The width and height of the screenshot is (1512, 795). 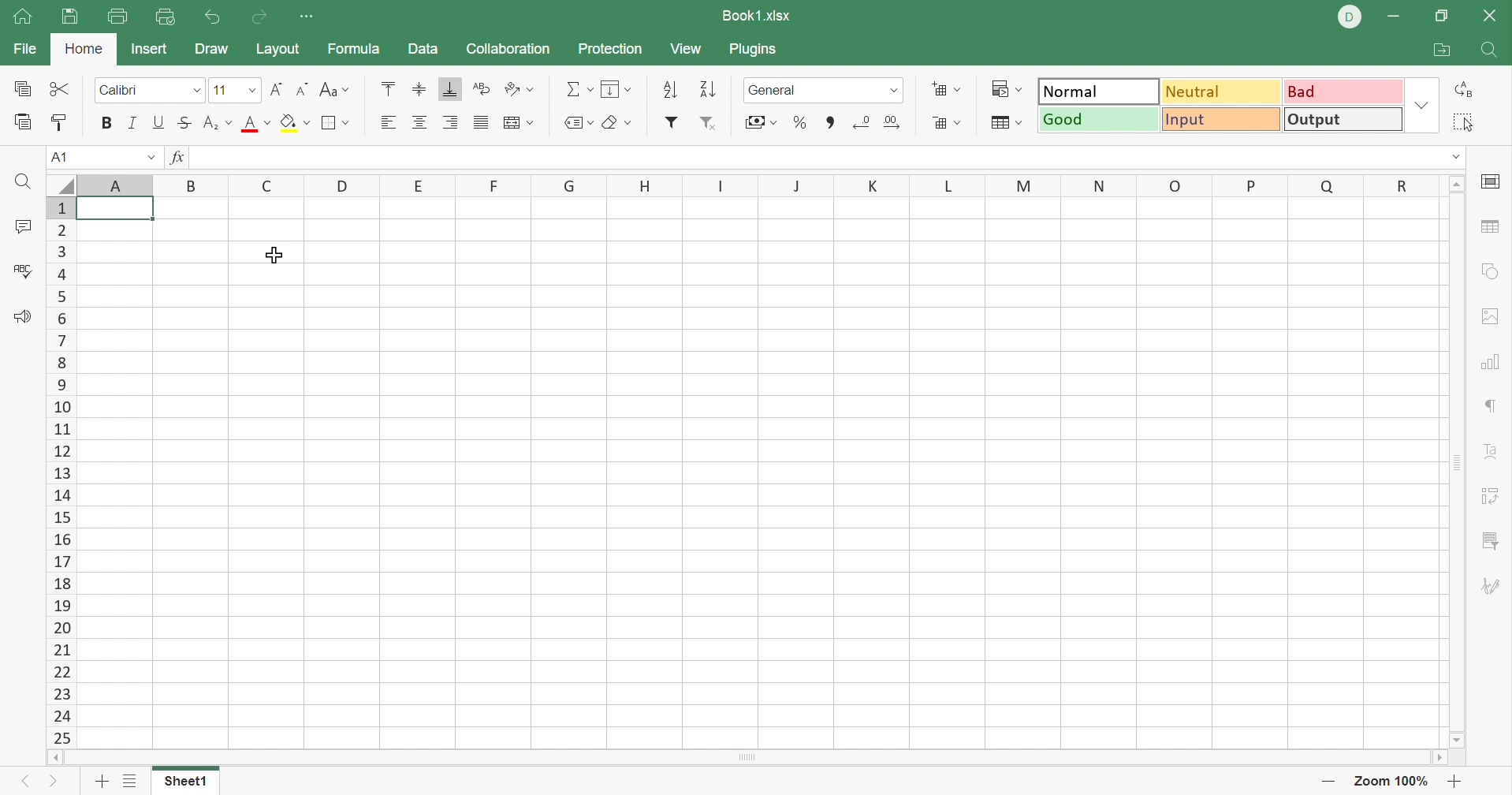 What do you see at coordinates (1340, 119) in the screenshot?
I see `Output` at bounding box center [1340, 119].